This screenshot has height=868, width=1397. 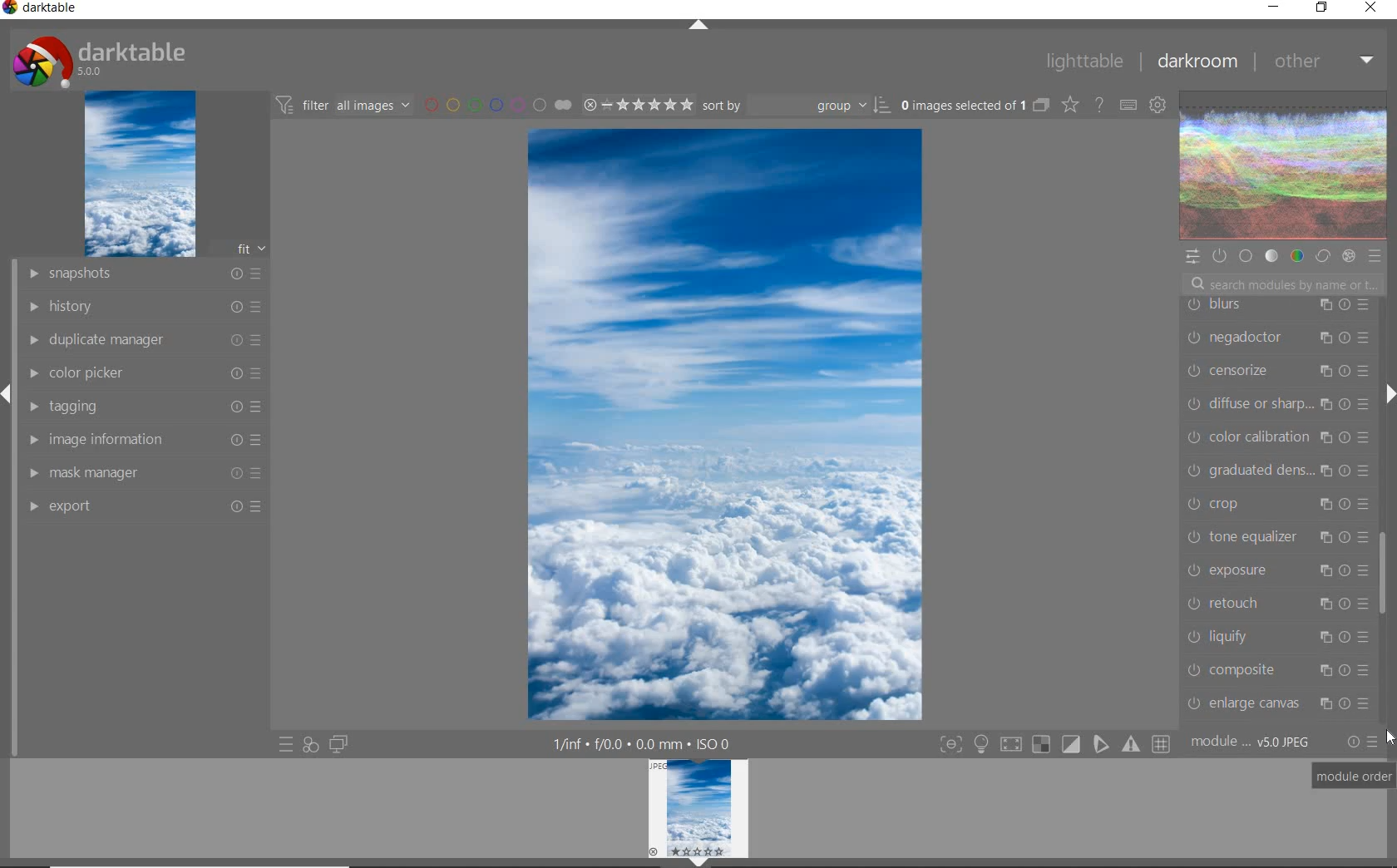 What do you see at coordinates (1273, 6) in the screenshot?
I see `MINIMIZE` at bounding box center [1273, 6].